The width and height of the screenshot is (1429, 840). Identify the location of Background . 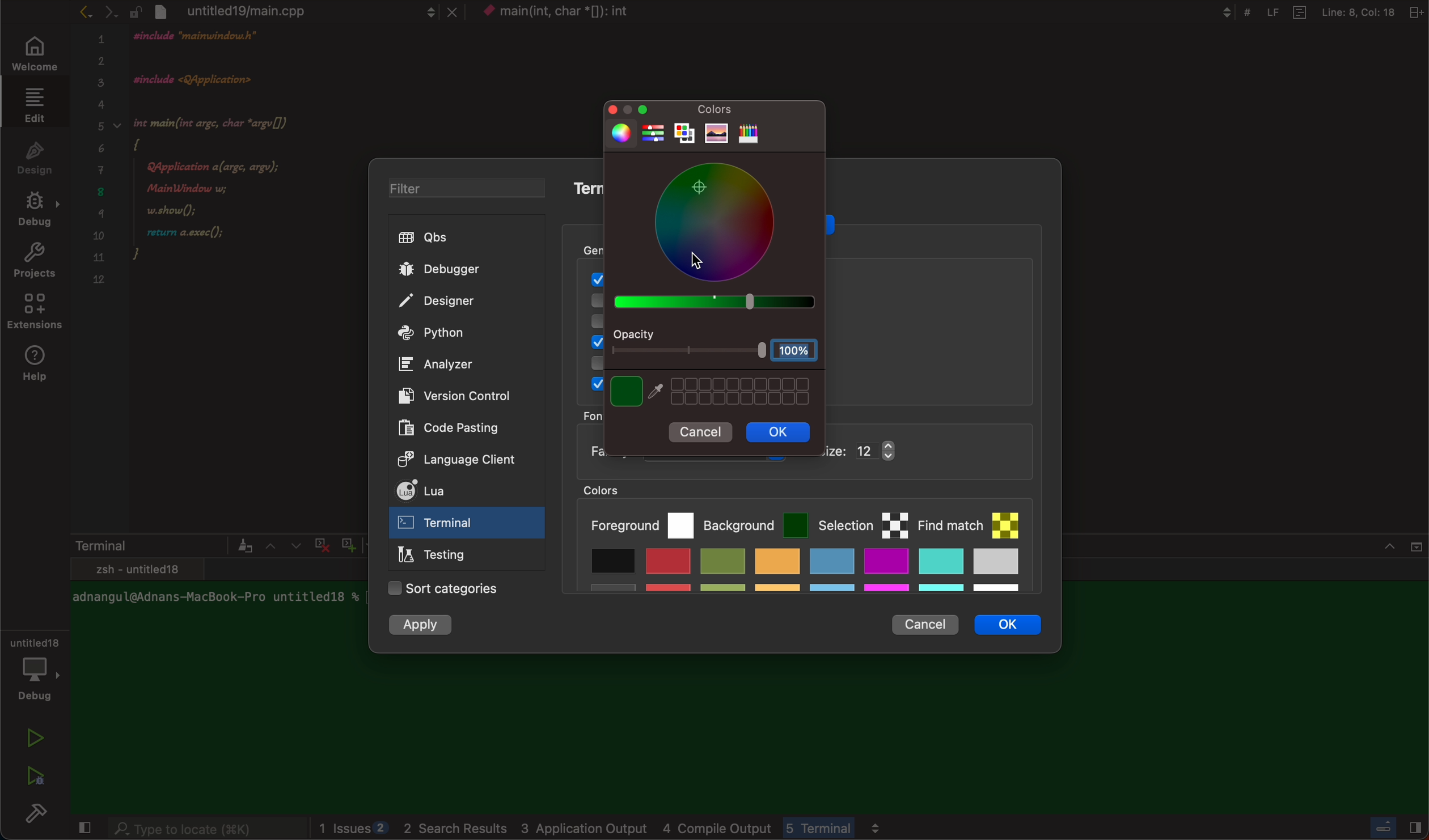
(756, 522).